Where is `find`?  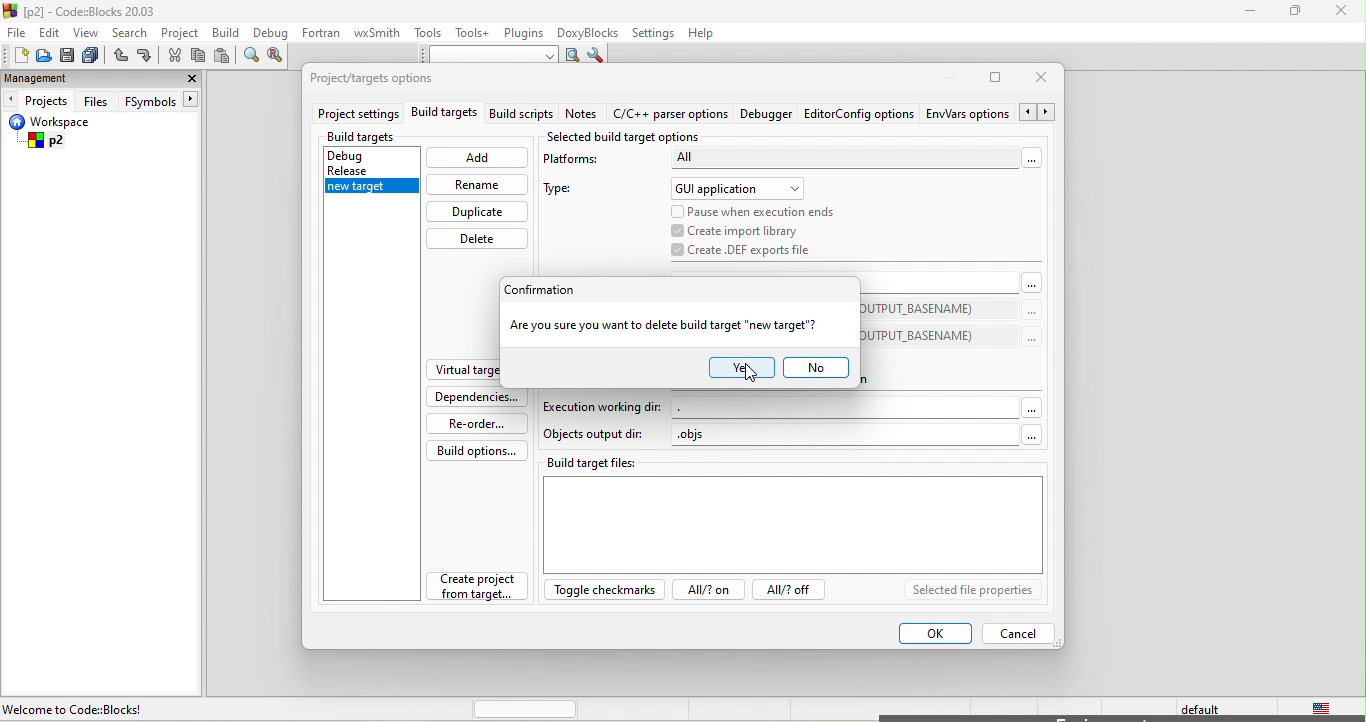
find is located at coordinates (252, 58).